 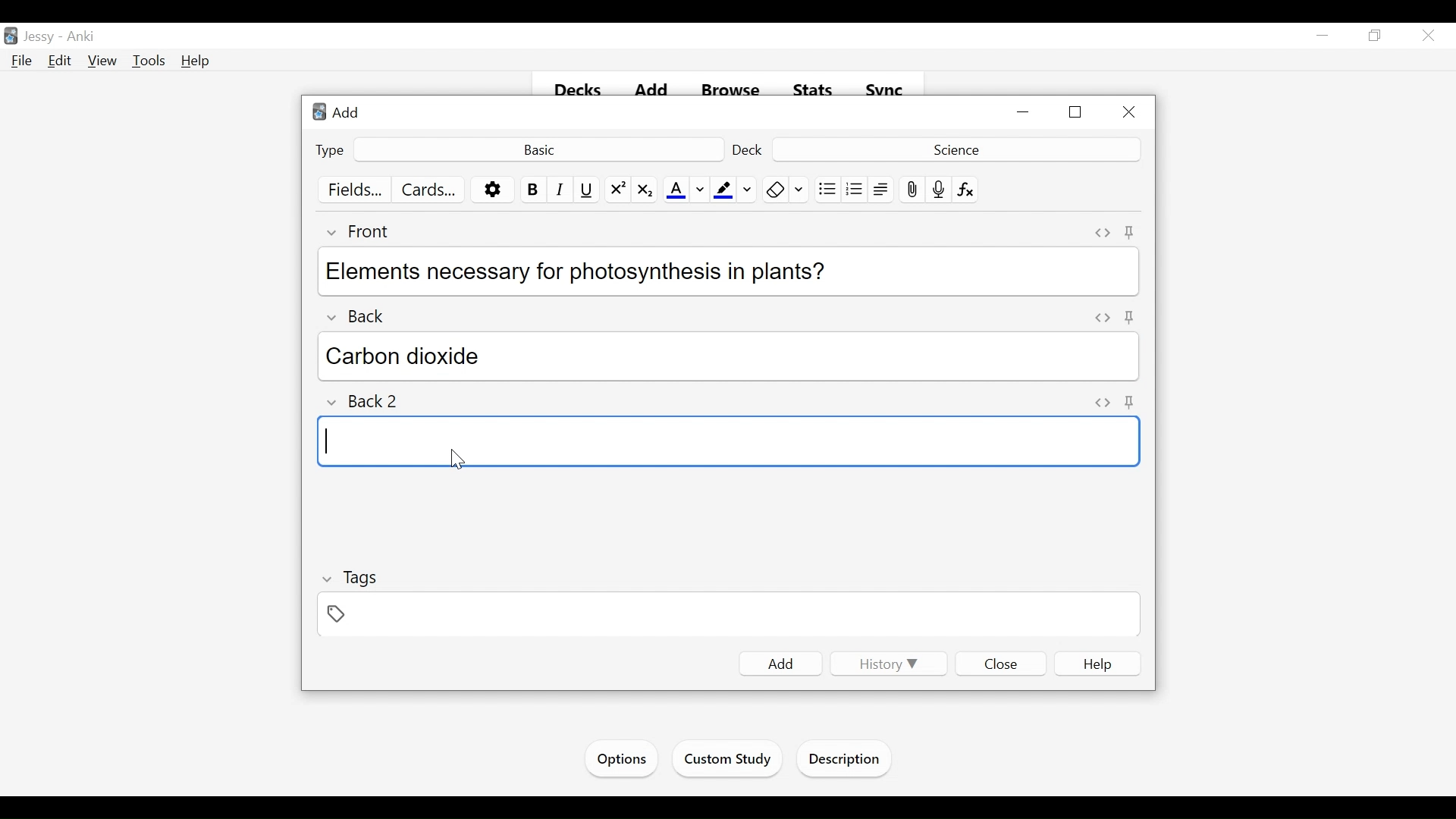 I want to click on Minimize, so click(x=1025, y=113).